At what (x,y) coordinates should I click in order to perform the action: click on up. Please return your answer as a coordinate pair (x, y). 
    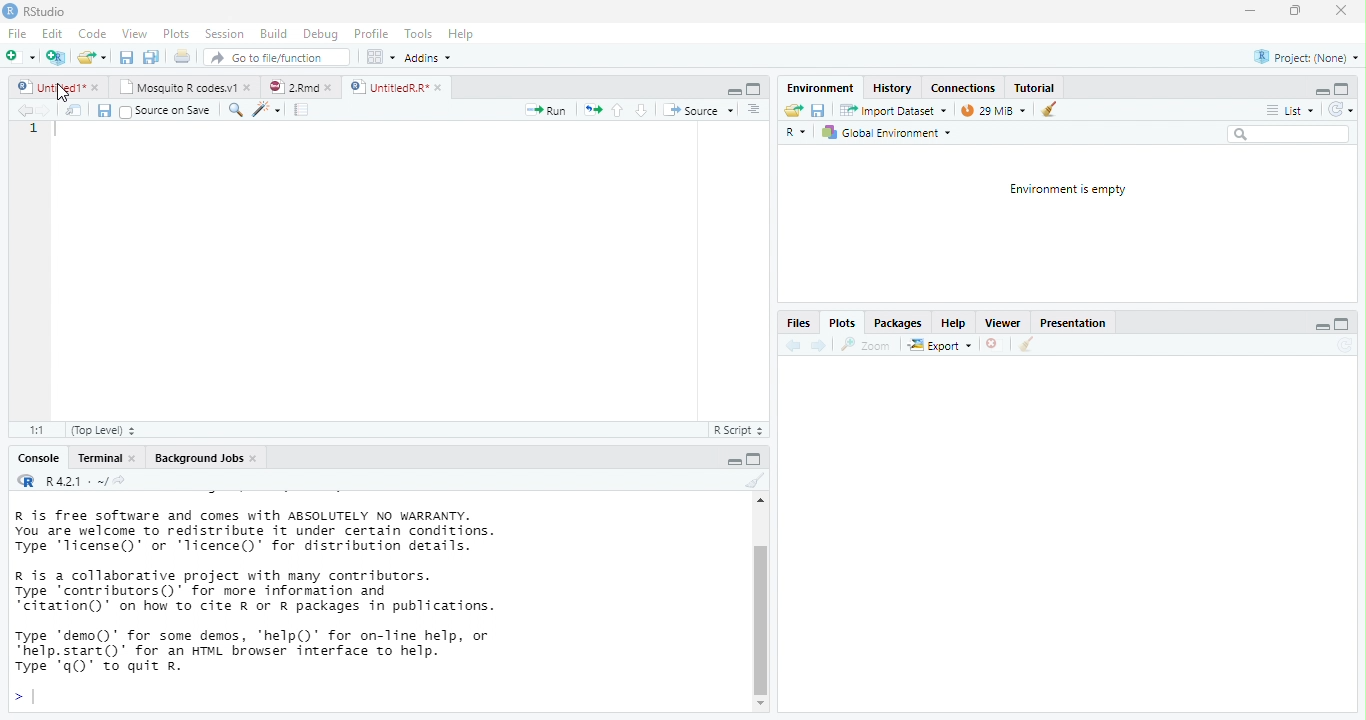
    Looking at the image, I should click on (618, 110).